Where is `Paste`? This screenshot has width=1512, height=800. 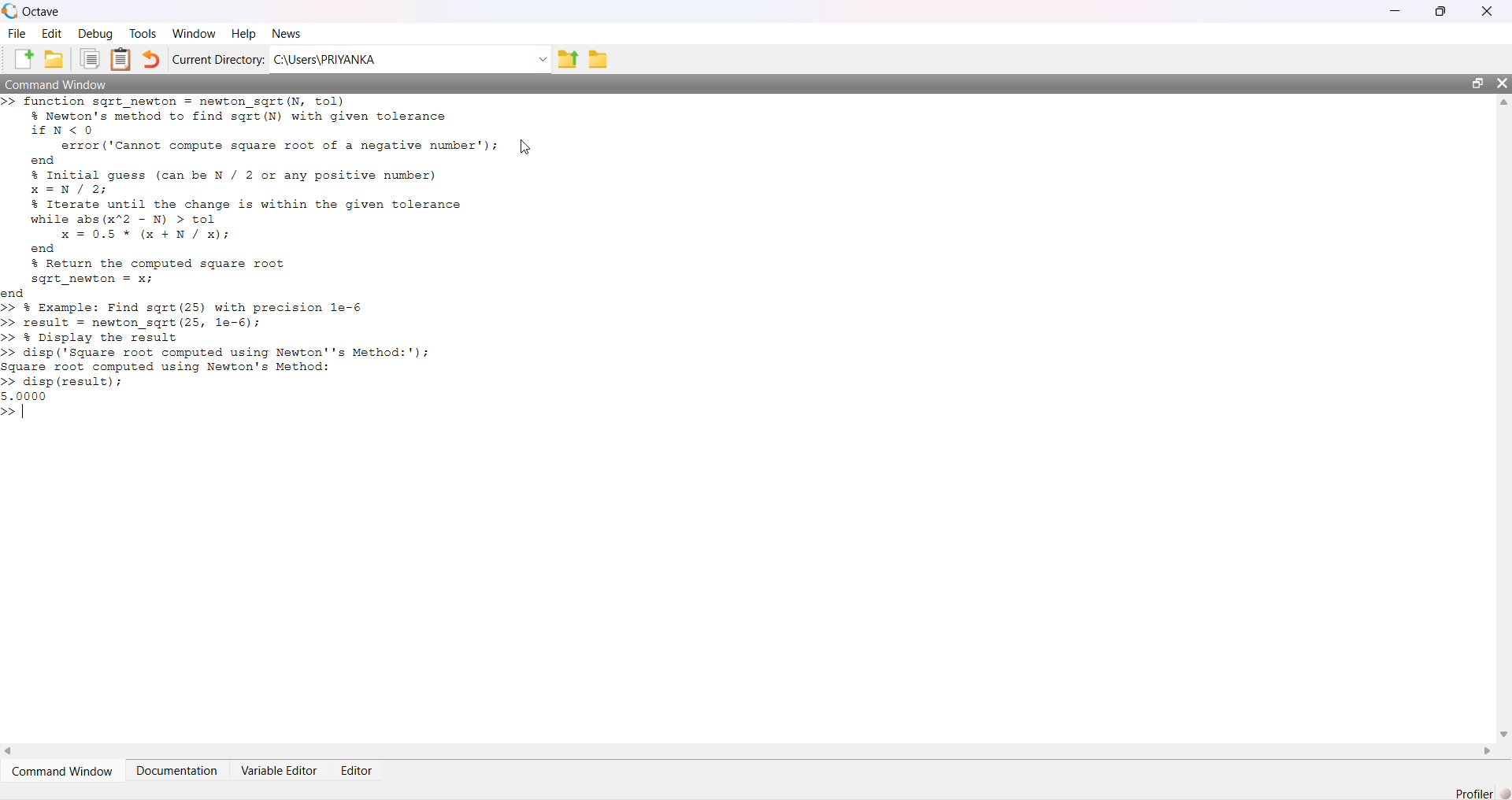
Paste is located at coordinates (122, 59).